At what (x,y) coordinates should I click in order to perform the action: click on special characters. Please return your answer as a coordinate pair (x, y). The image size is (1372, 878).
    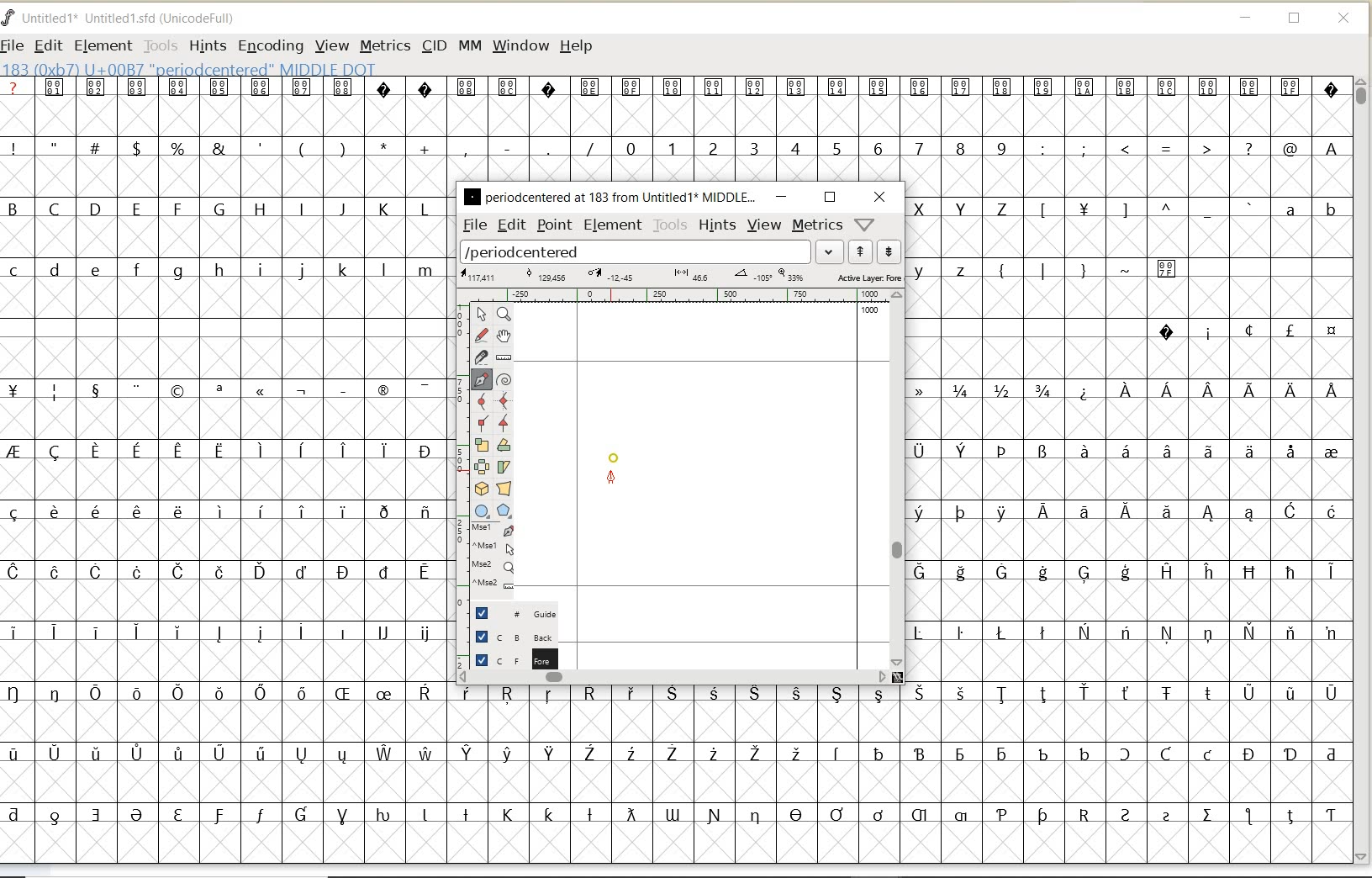
    Looking at the image, I should click on (300, 147).